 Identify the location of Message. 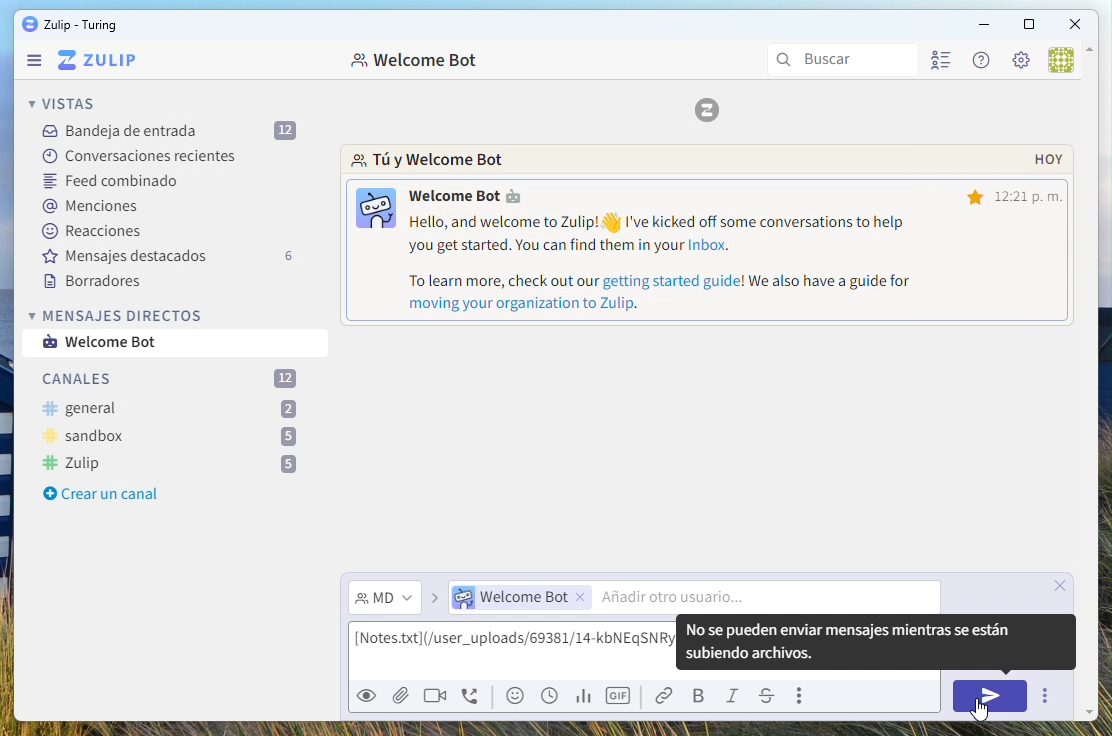
(116, 343).